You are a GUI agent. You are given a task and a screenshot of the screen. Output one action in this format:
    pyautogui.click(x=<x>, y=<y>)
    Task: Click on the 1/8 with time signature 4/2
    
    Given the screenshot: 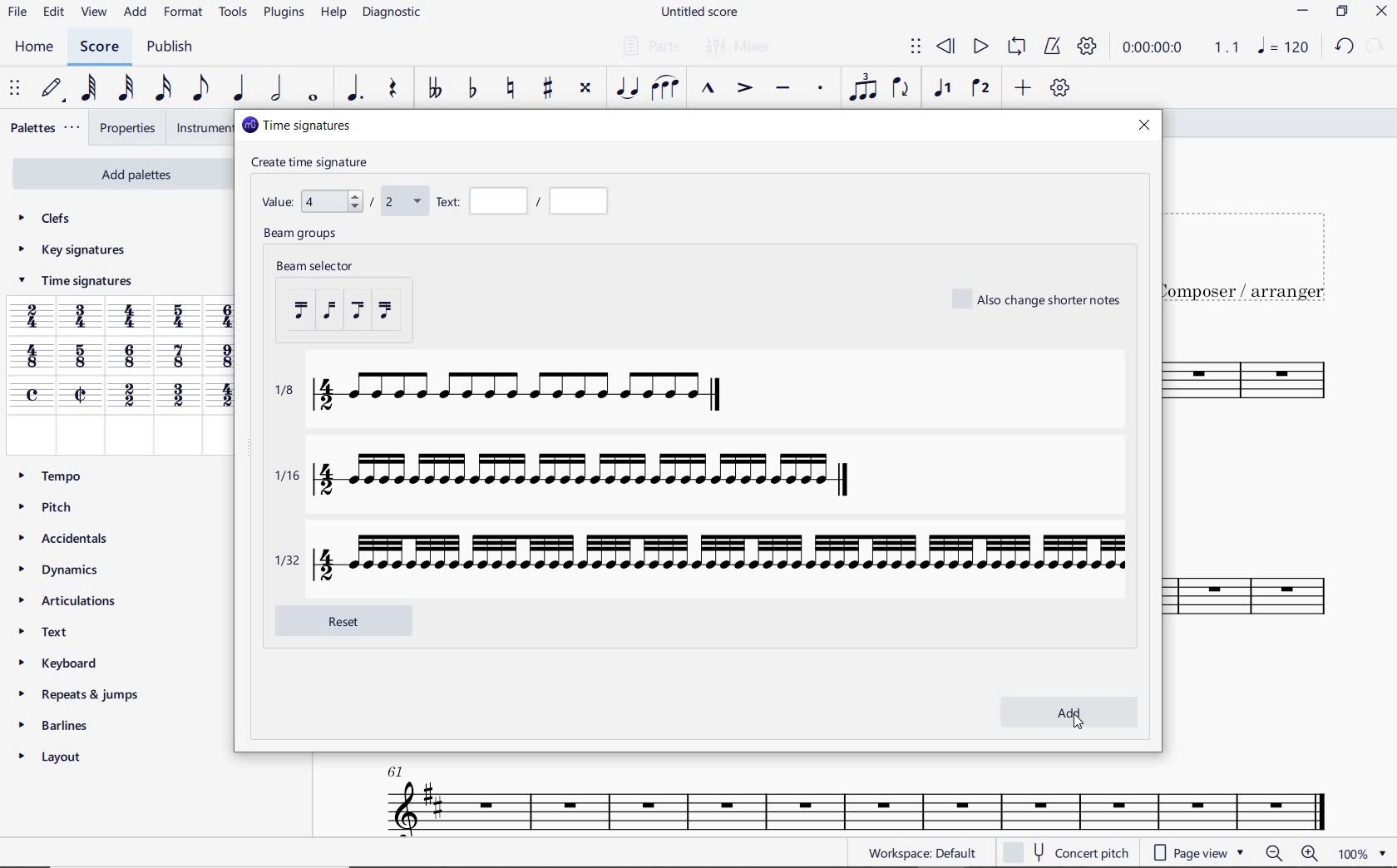 What is the action you would take?
    pyautogui.click(x=506, y=395)
    